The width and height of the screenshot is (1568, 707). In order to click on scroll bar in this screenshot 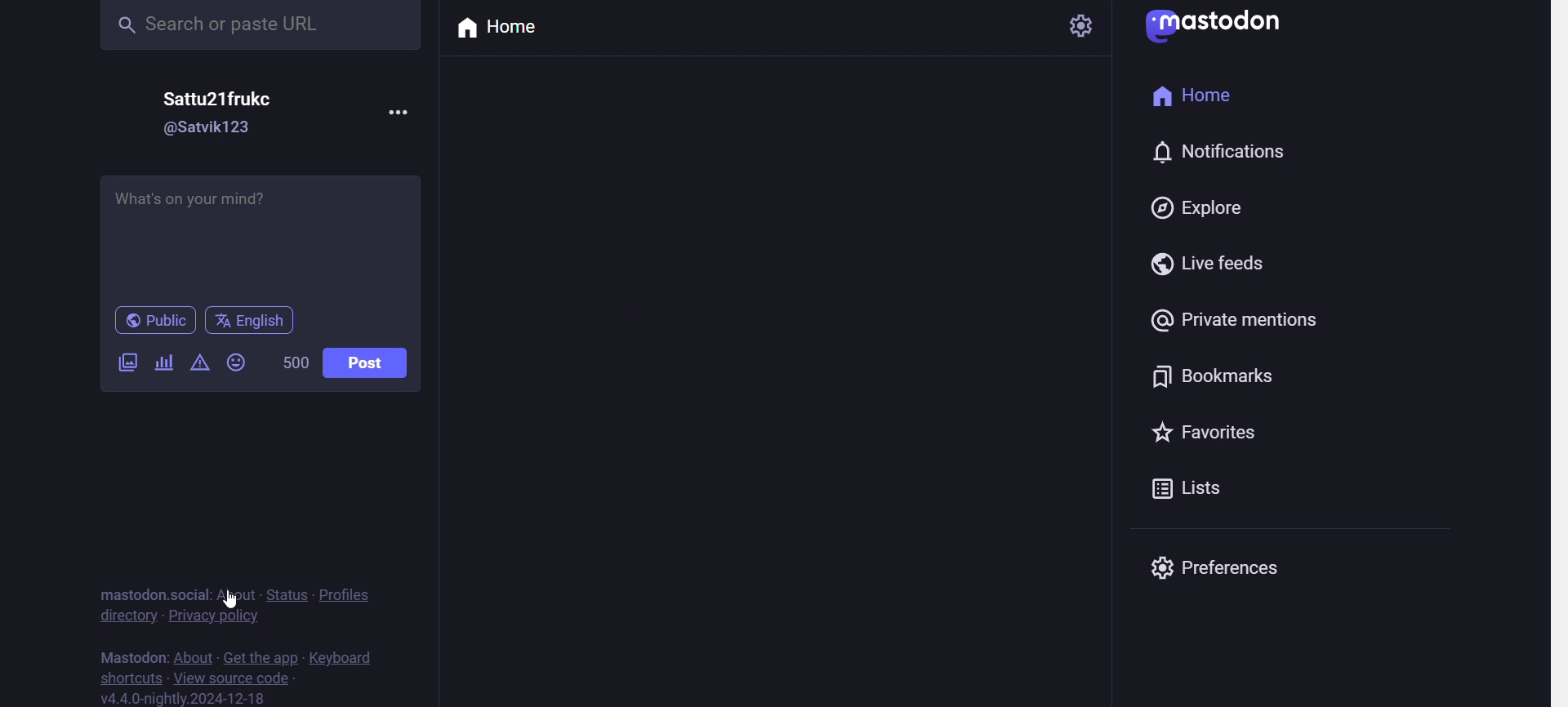, I will do `click(1557, 353)`.